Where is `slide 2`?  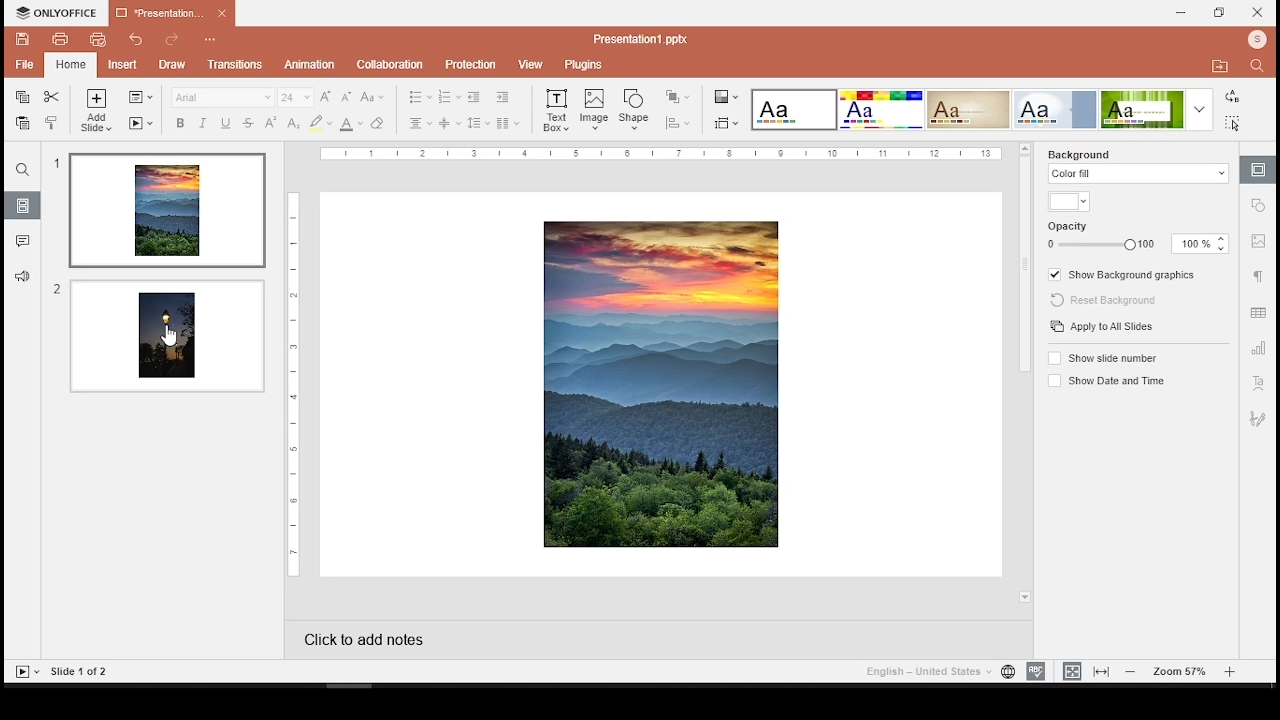 slide 2 is located at coordinates (165, 334).